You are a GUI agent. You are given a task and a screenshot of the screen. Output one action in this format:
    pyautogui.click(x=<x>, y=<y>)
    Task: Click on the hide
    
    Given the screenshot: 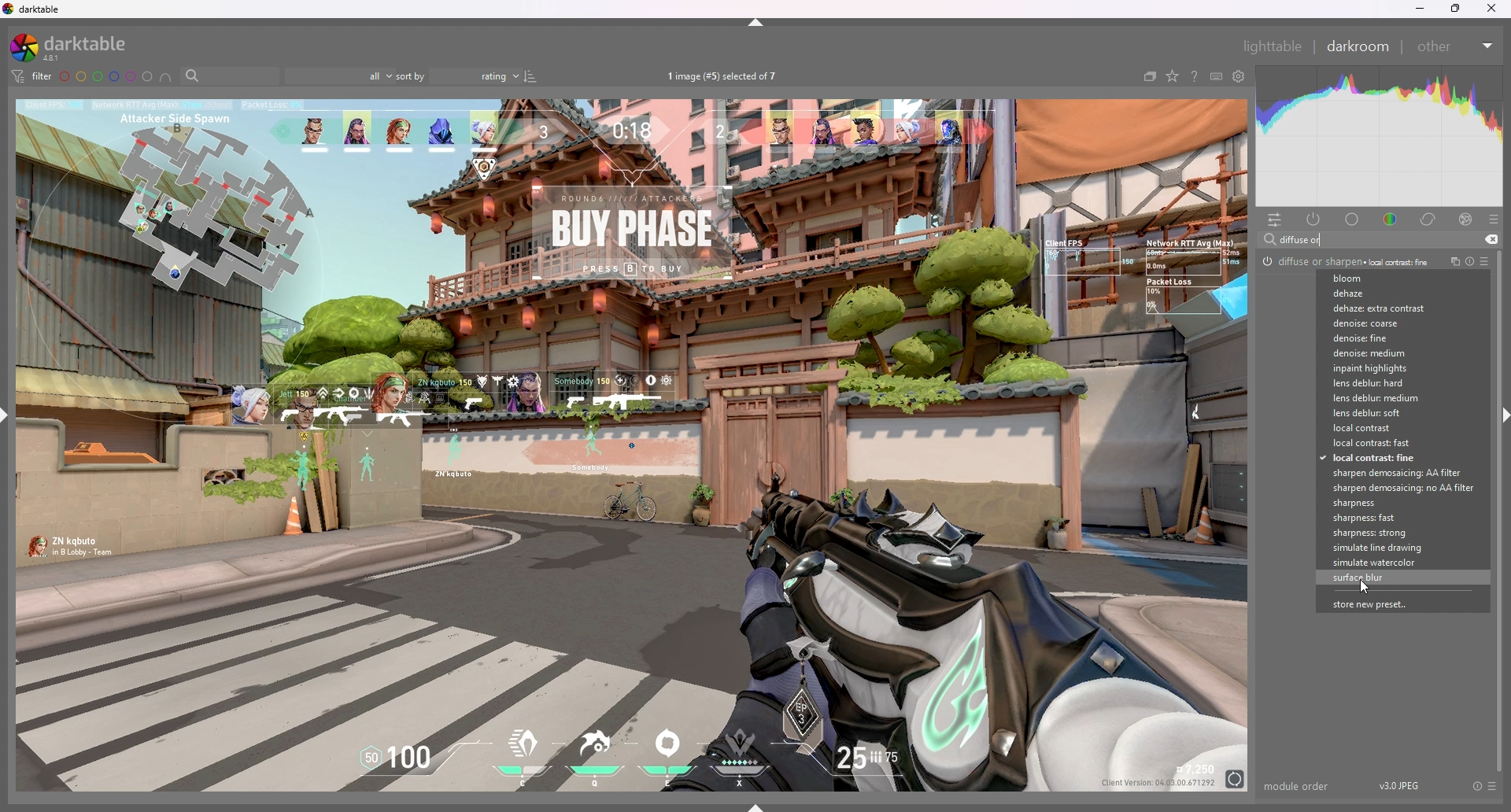 What is the action you would take?
    pyautogui.click(x=1502, y=417)
    